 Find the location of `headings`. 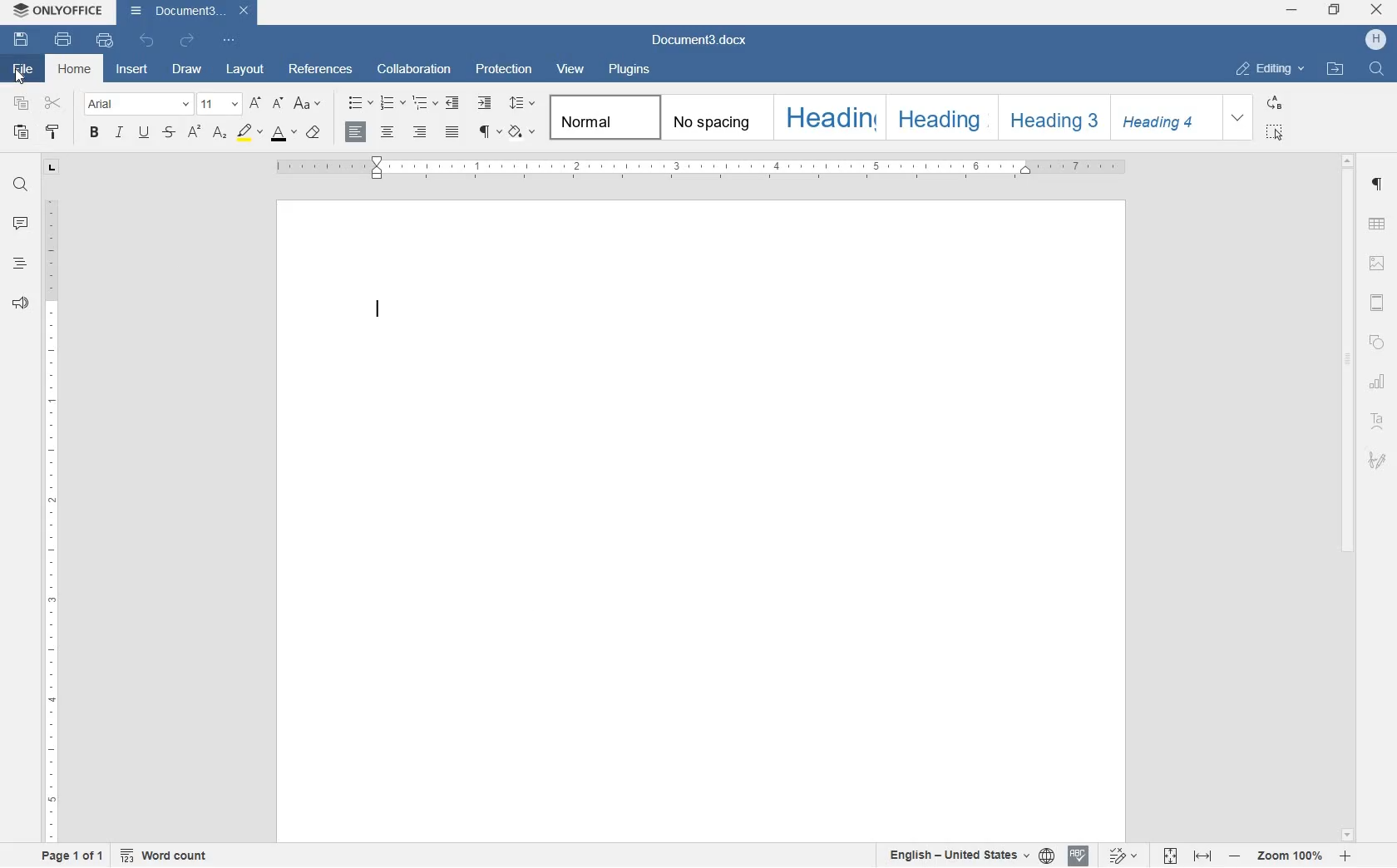

headings is located at coordinates (18, 267).